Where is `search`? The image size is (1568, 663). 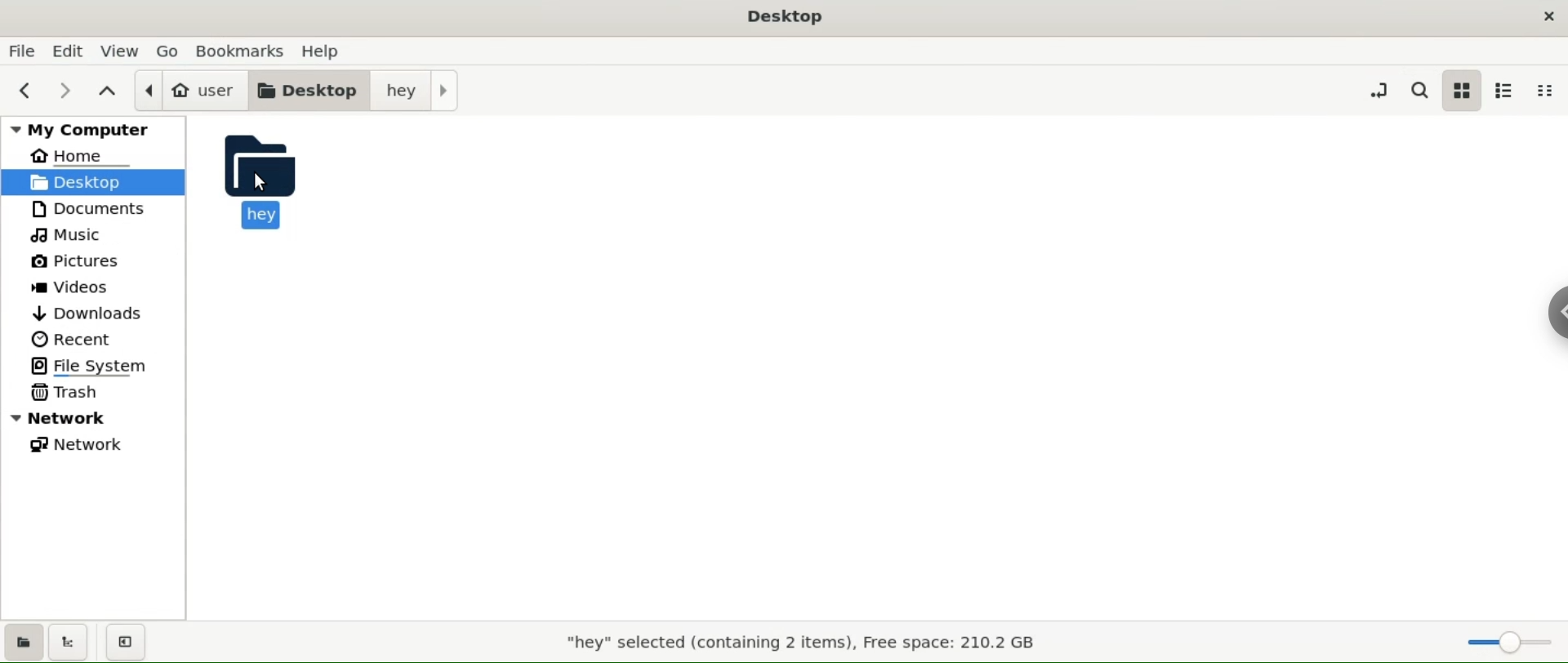
search is located at coordinates (1421, 89).